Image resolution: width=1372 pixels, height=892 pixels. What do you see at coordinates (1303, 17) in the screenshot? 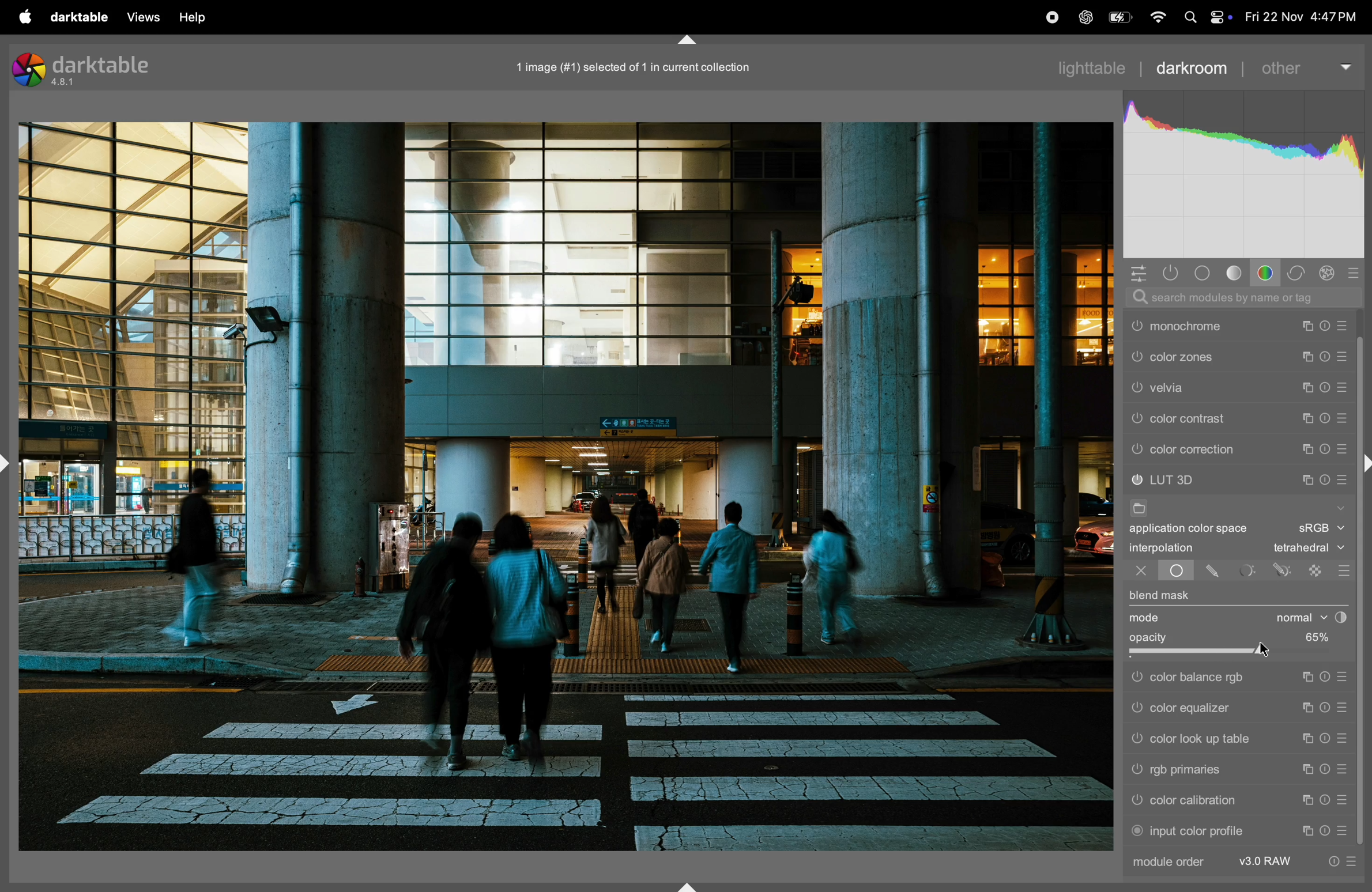
I see `date and time` at bounding box center [1303, 17].